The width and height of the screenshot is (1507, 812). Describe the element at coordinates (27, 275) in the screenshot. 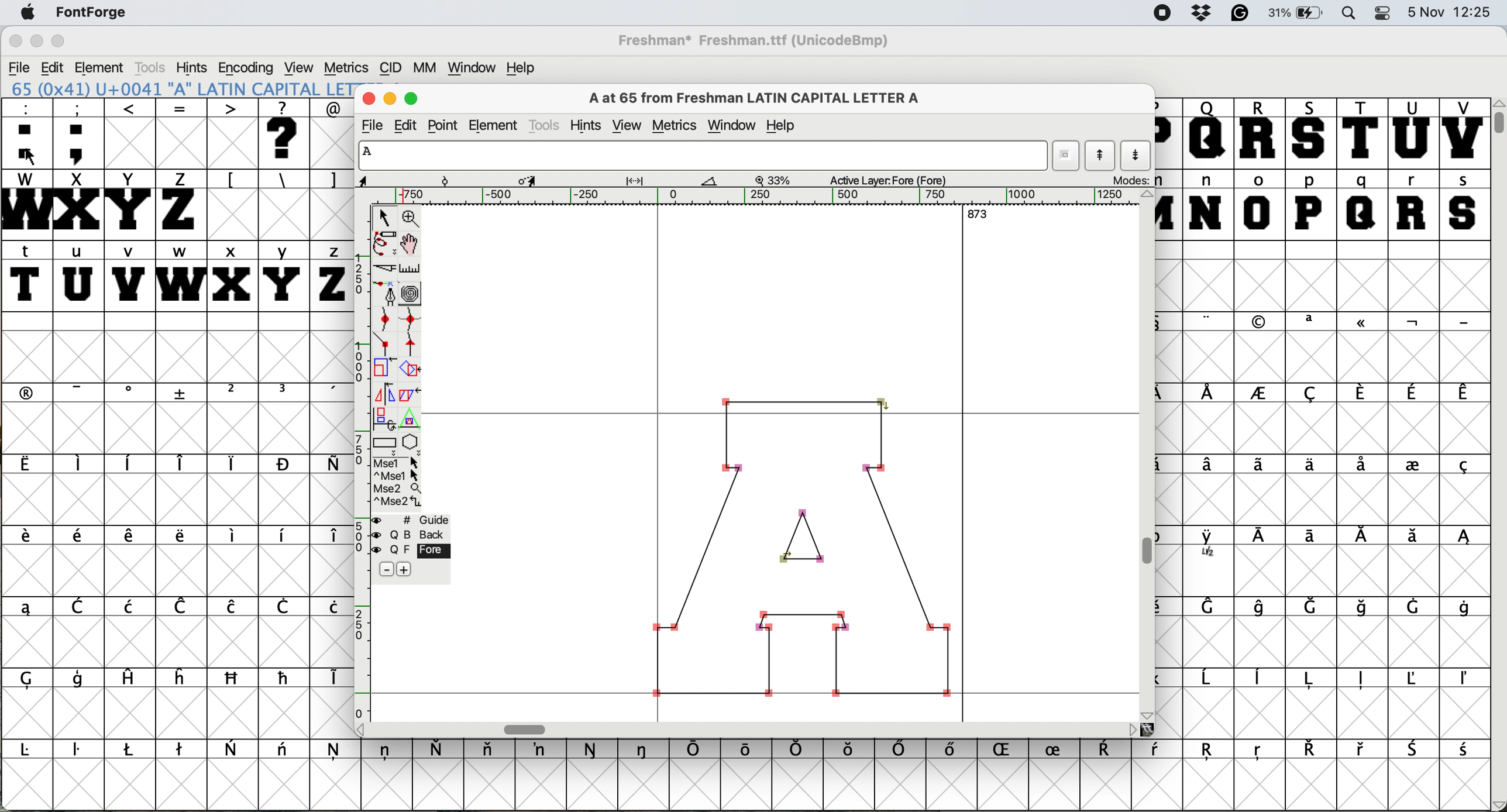

I see `t` at that location.